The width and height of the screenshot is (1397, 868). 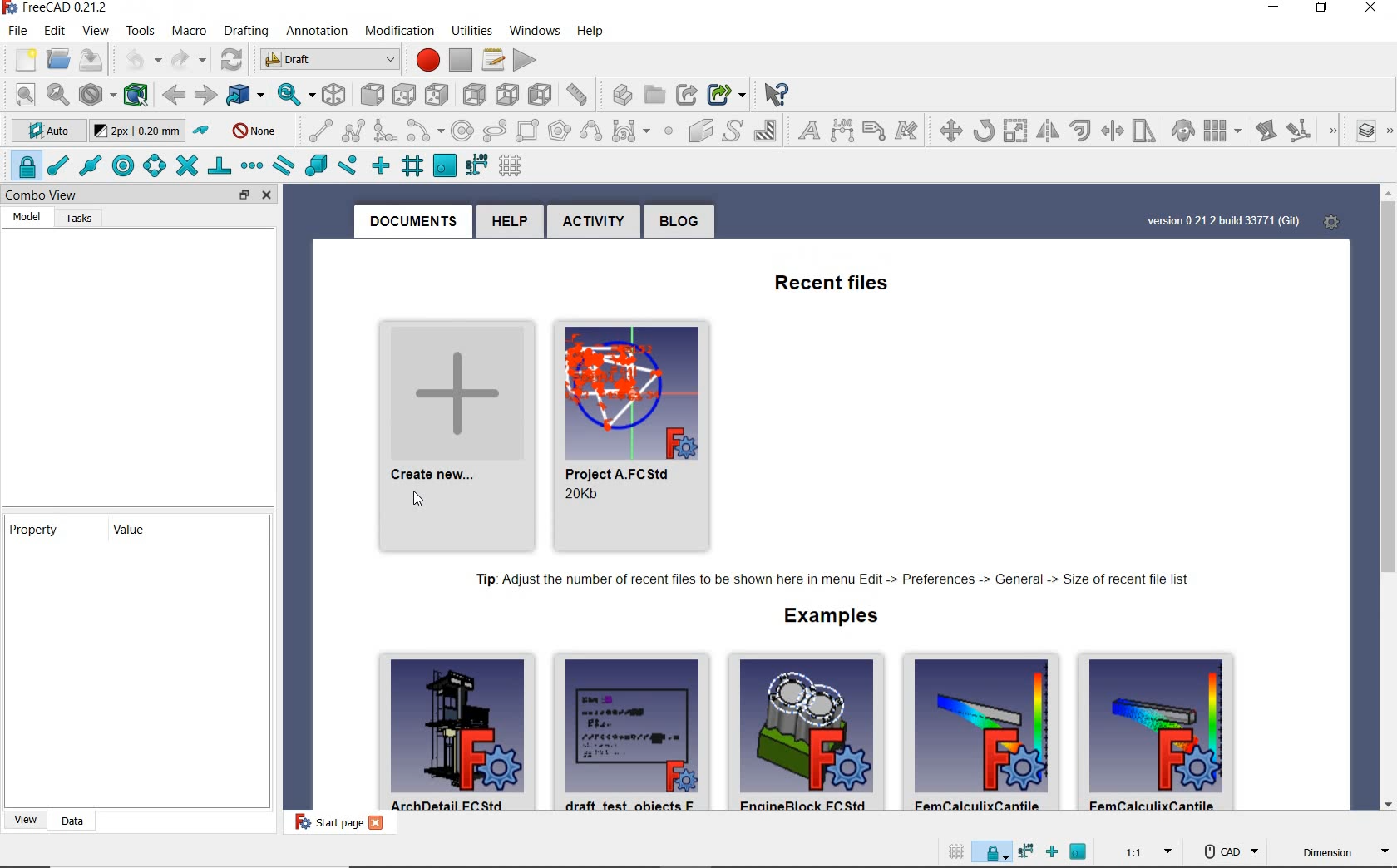 I want to click on property, so click(x=32, y=528).